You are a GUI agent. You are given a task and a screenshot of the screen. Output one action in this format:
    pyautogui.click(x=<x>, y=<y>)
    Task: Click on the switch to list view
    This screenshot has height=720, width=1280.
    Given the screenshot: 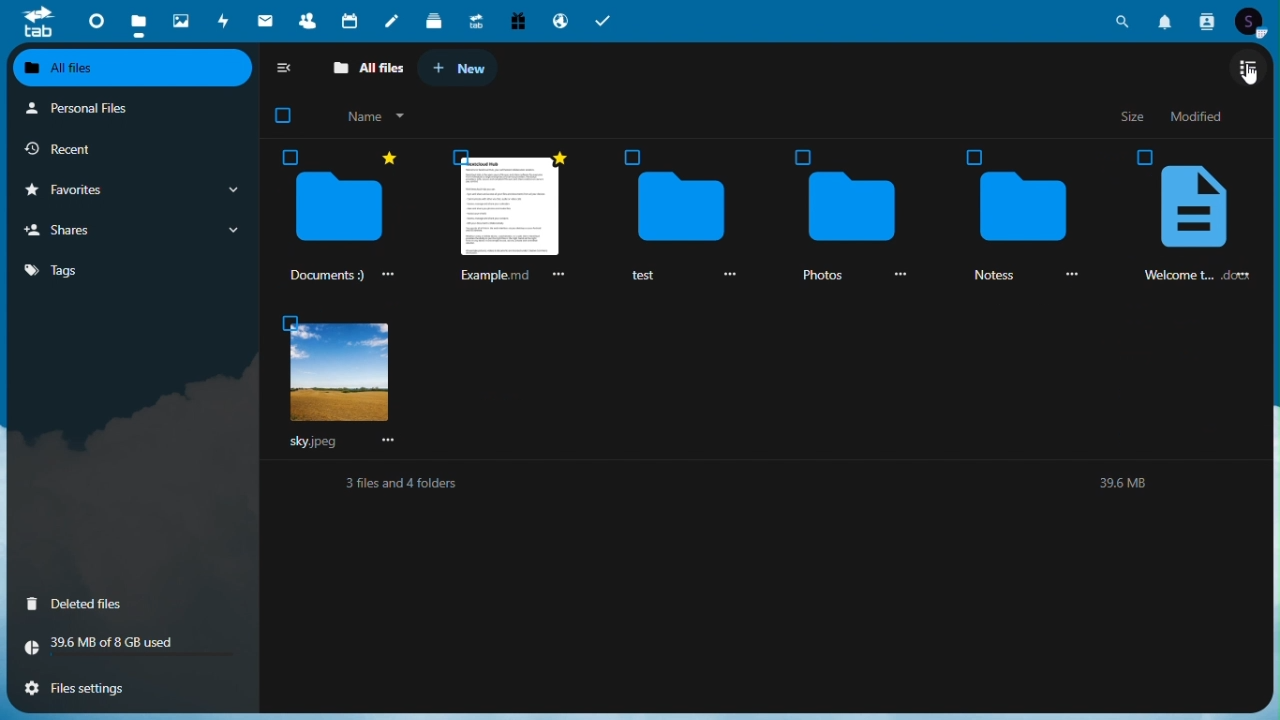 What is the action you would take?
    pyautogui.click(x=1248, y=66)
    